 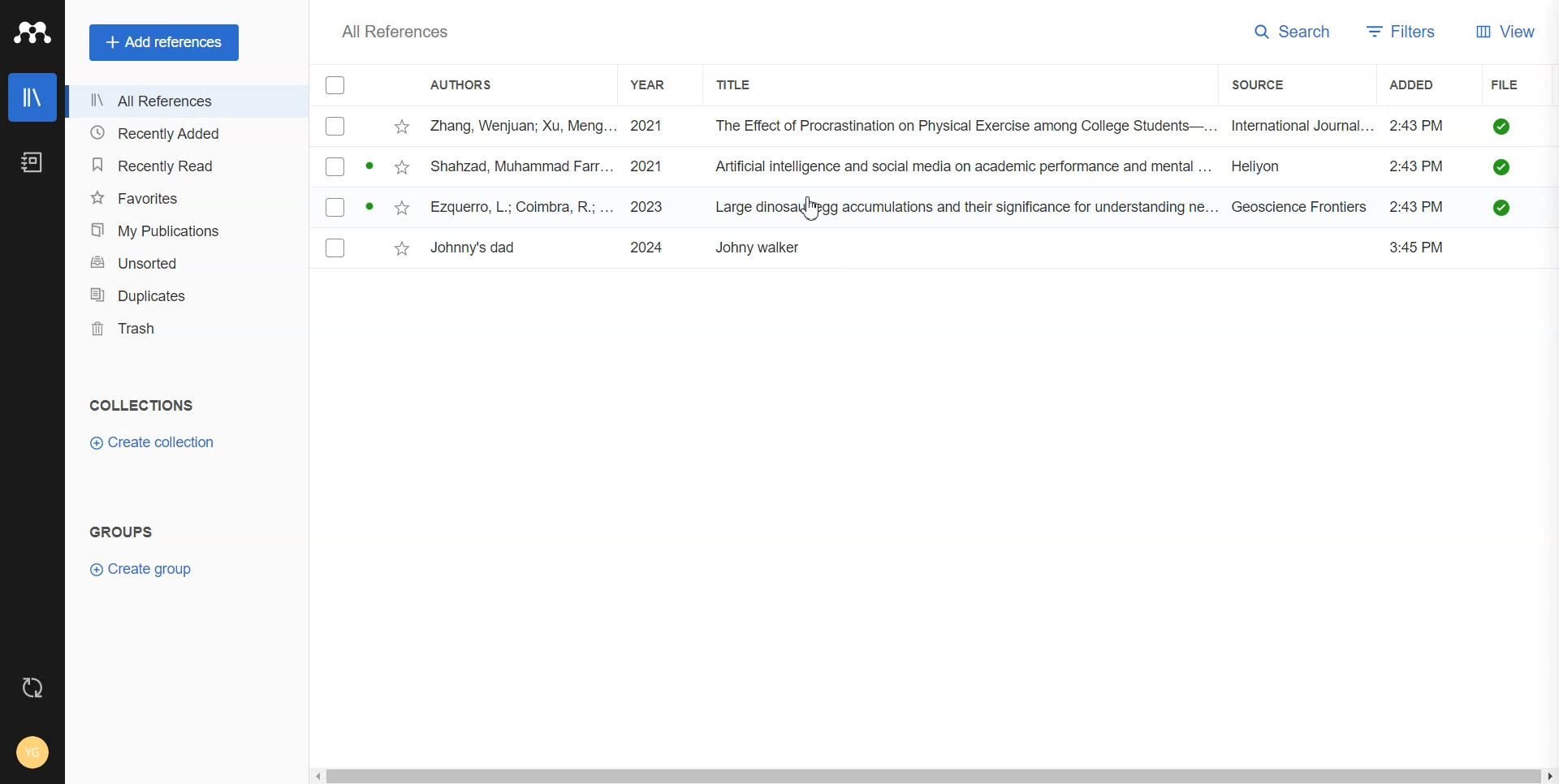 I want to click on unread, so click(x=368, y=205).